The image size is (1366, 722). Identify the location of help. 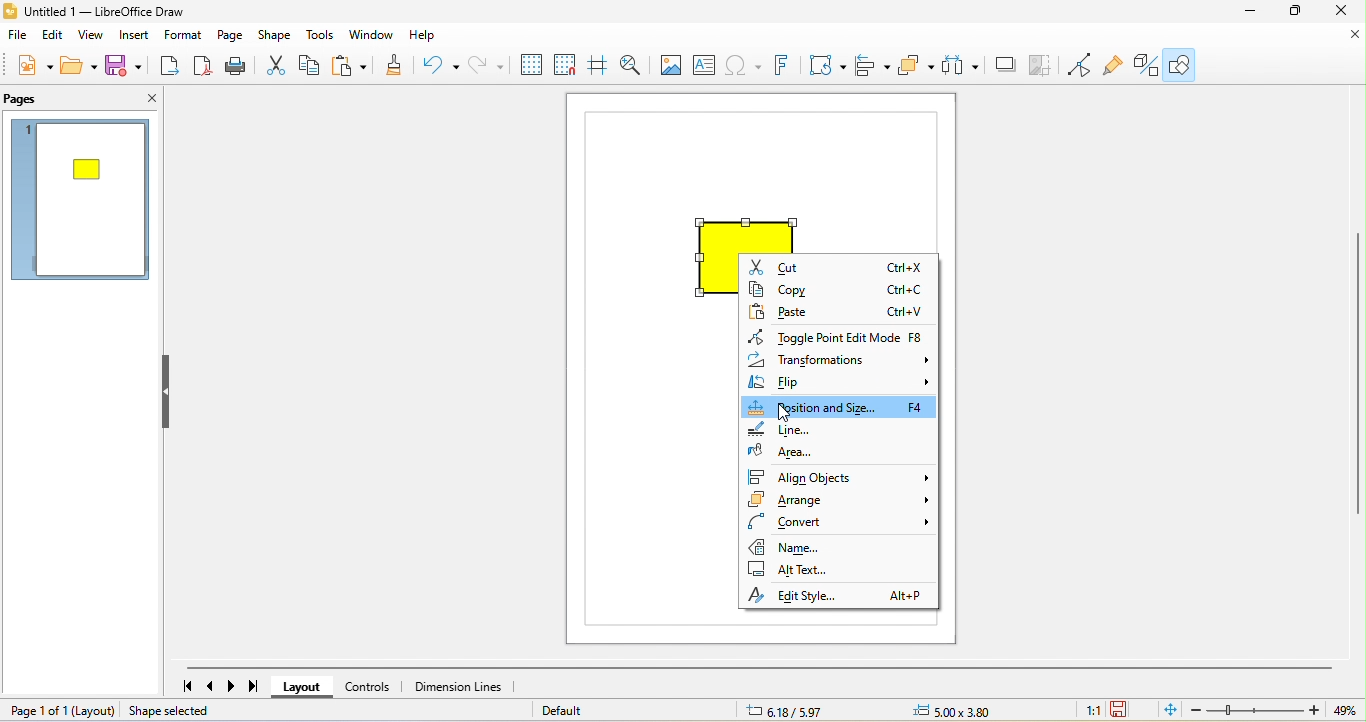
(432, 36).